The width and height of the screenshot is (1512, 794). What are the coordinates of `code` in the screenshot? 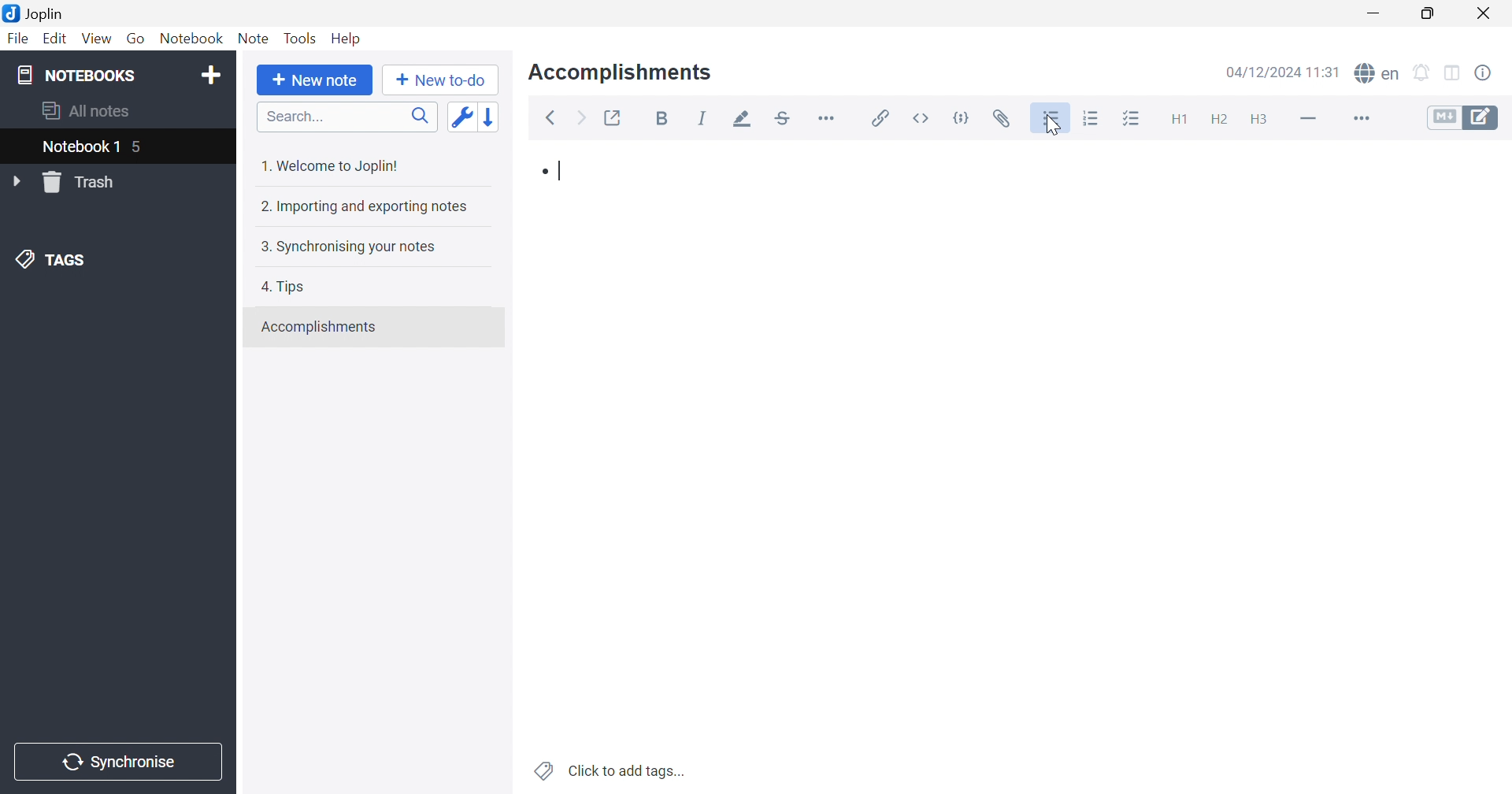 It's located at (962, 116).